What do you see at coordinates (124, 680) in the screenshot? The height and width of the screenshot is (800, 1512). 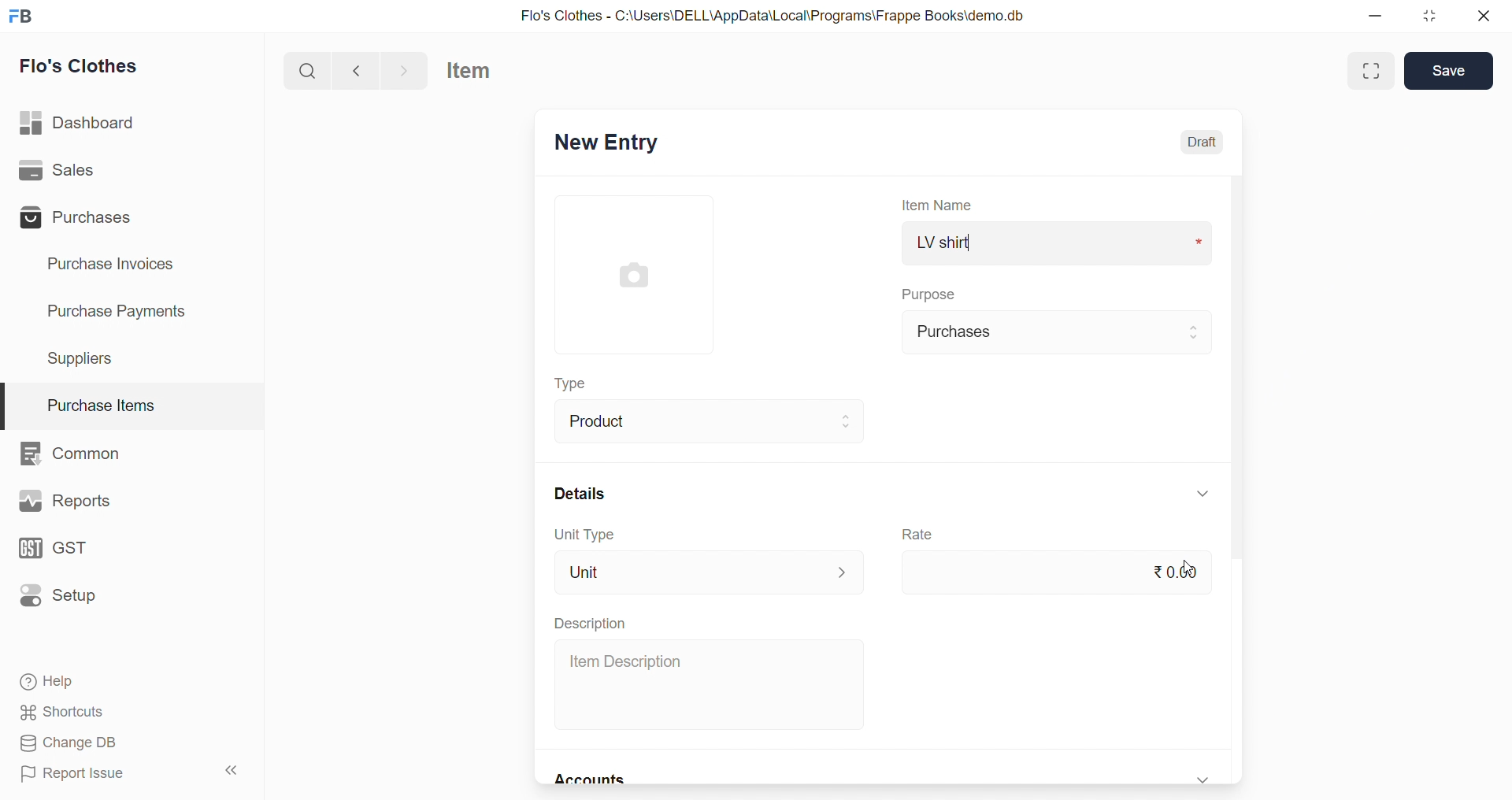 I see `Help` at bounding box center [124, 680].